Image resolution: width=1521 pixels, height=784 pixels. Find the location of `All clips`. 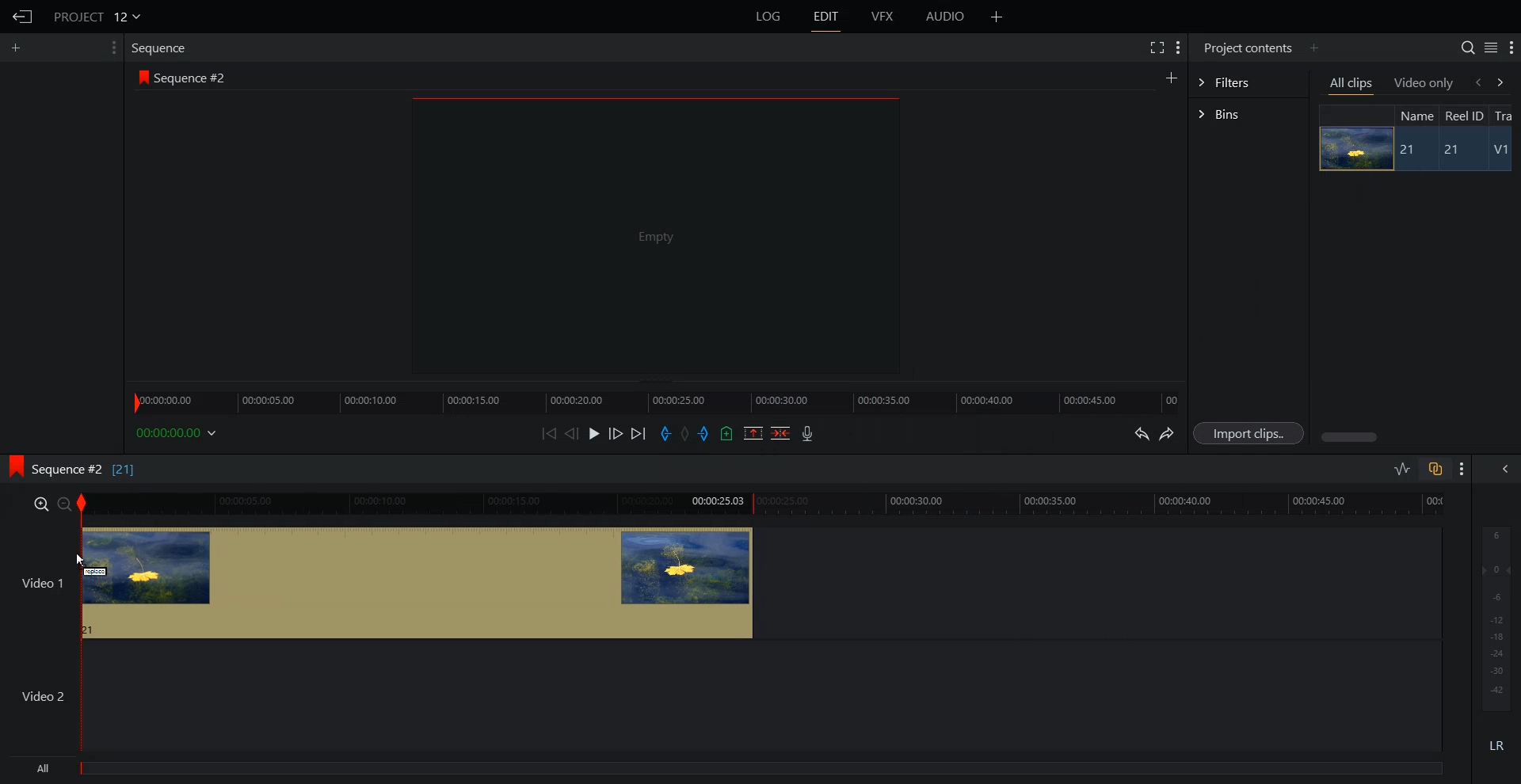

All clips is located at coordinates (1352, 85).